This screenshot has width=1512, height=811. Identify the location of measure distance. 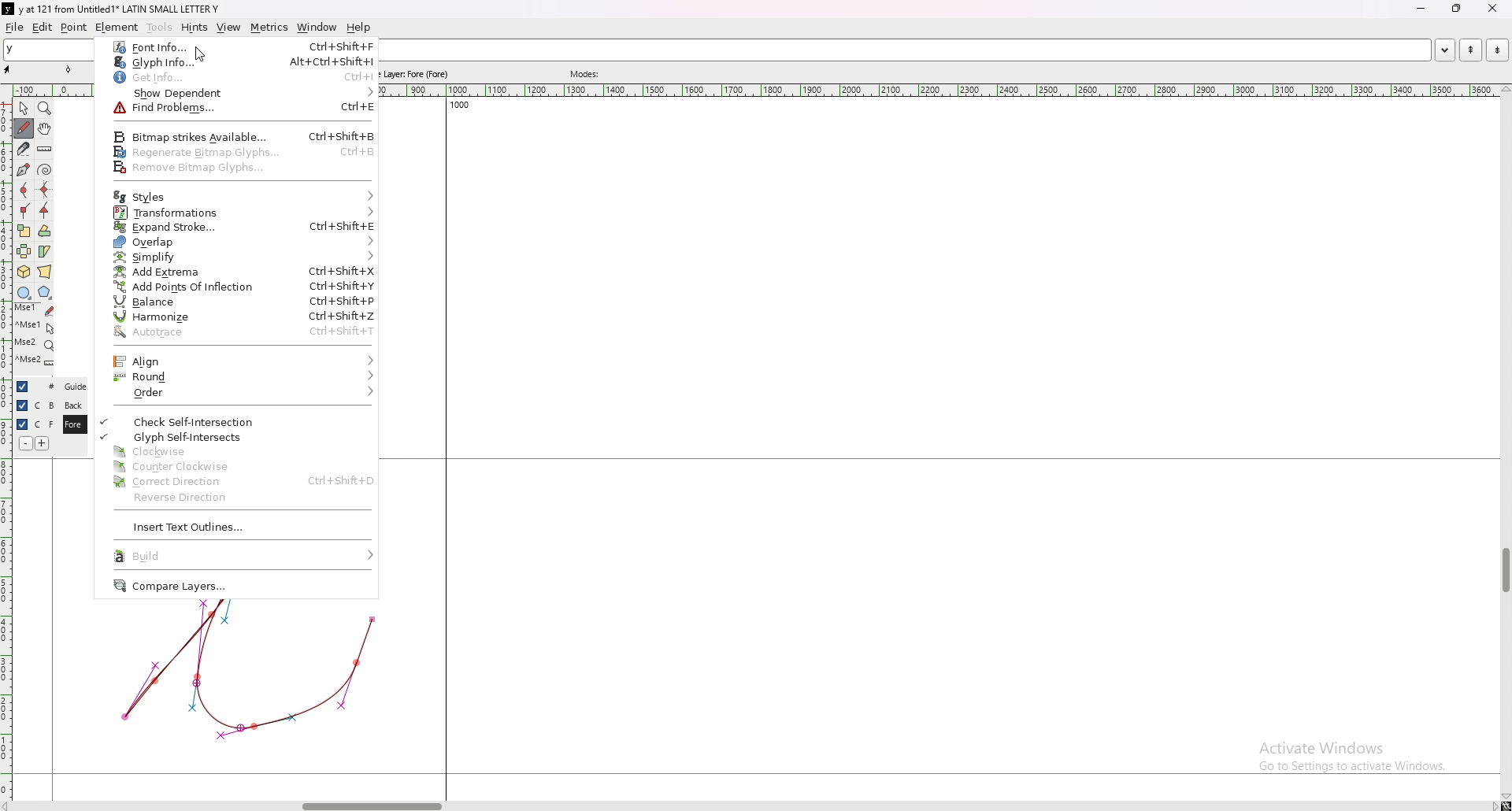
(45, 150).